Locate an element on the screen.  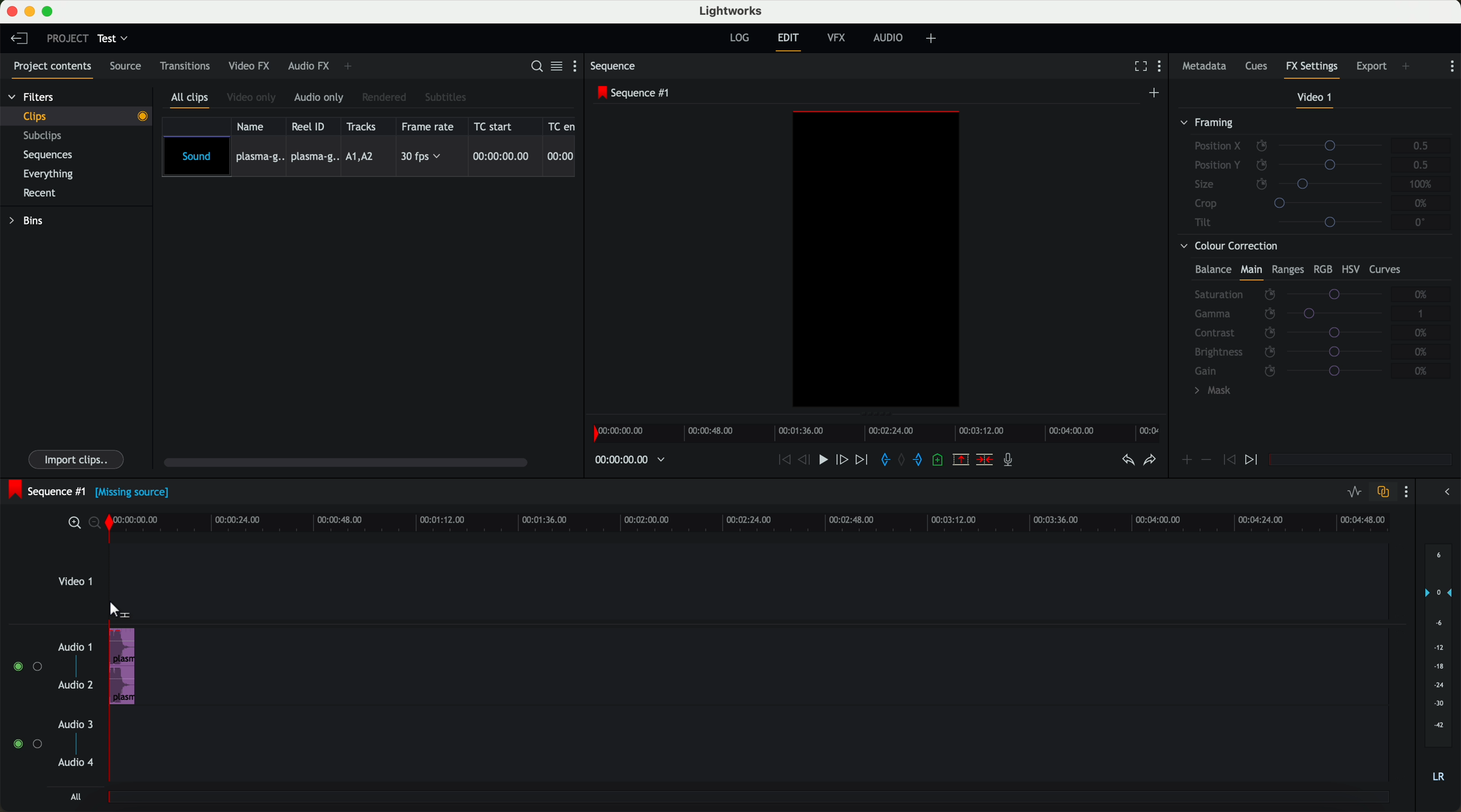
toggle auto track sync is located at coordinates (1383, 492).